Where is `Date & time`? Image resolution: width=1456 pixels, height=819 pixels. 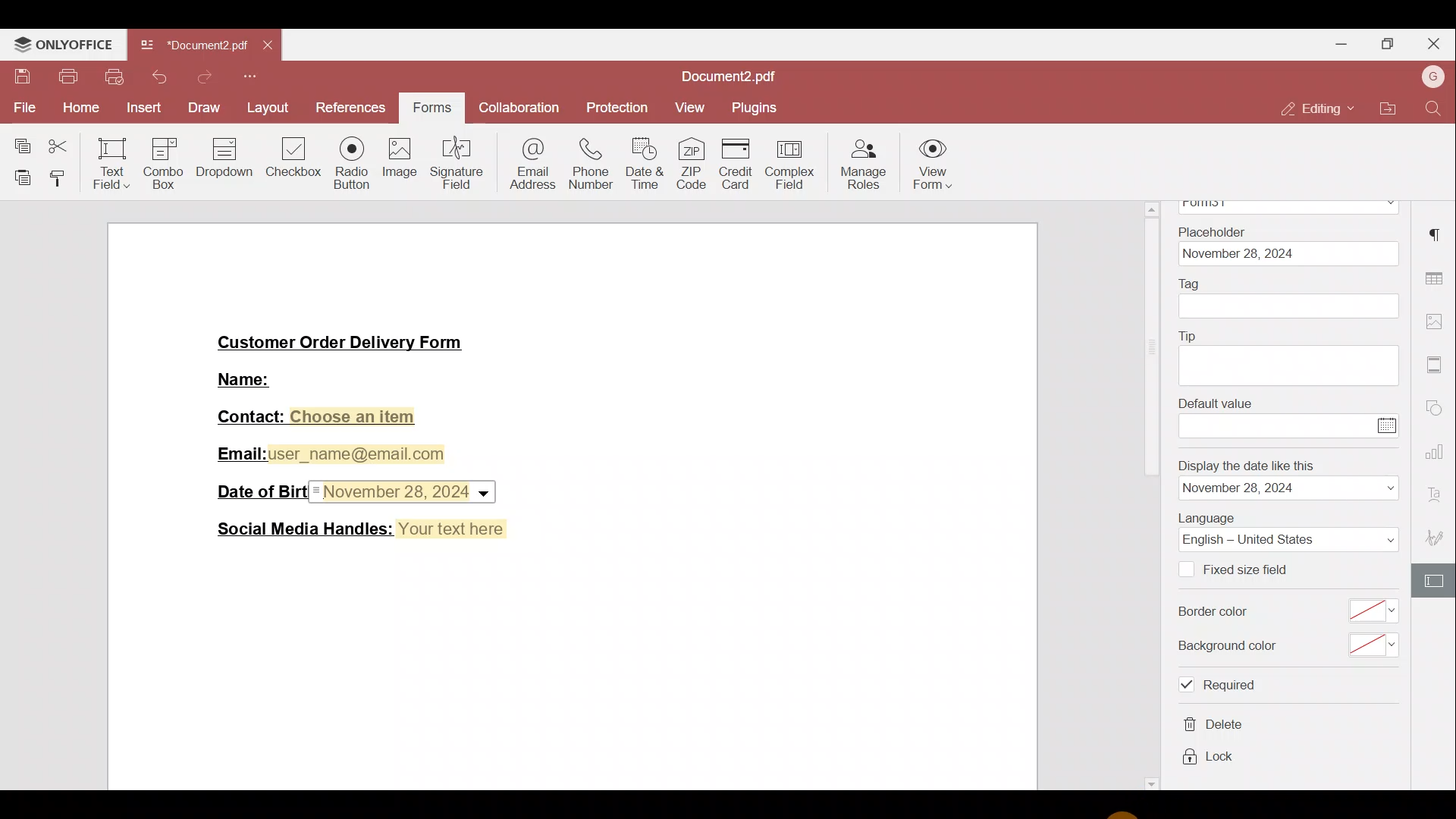 Date & time is located at coordinates (645, 164).